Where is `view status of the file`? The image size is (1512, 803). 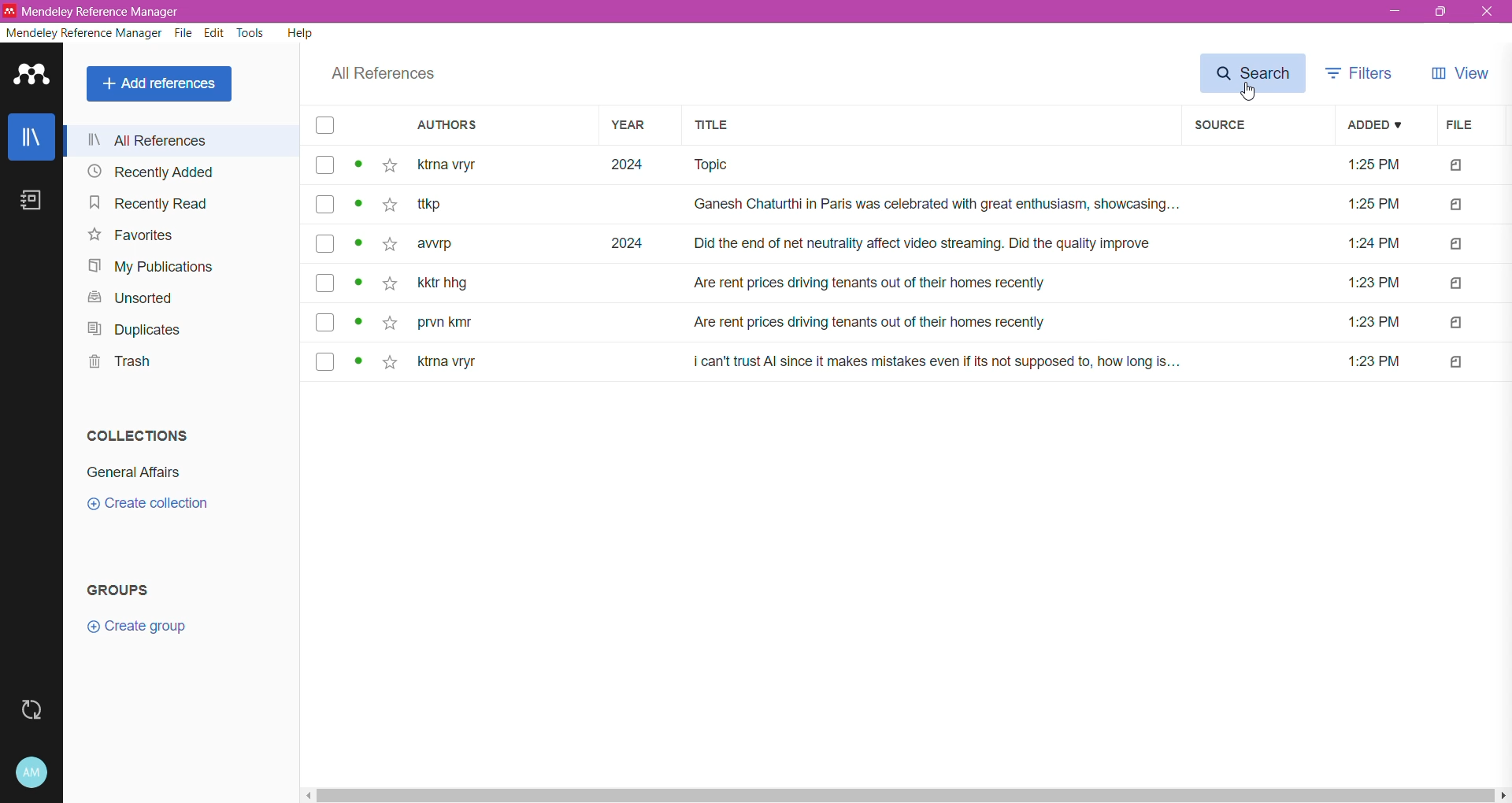 view status of the file is located at coordinates (359, 244).